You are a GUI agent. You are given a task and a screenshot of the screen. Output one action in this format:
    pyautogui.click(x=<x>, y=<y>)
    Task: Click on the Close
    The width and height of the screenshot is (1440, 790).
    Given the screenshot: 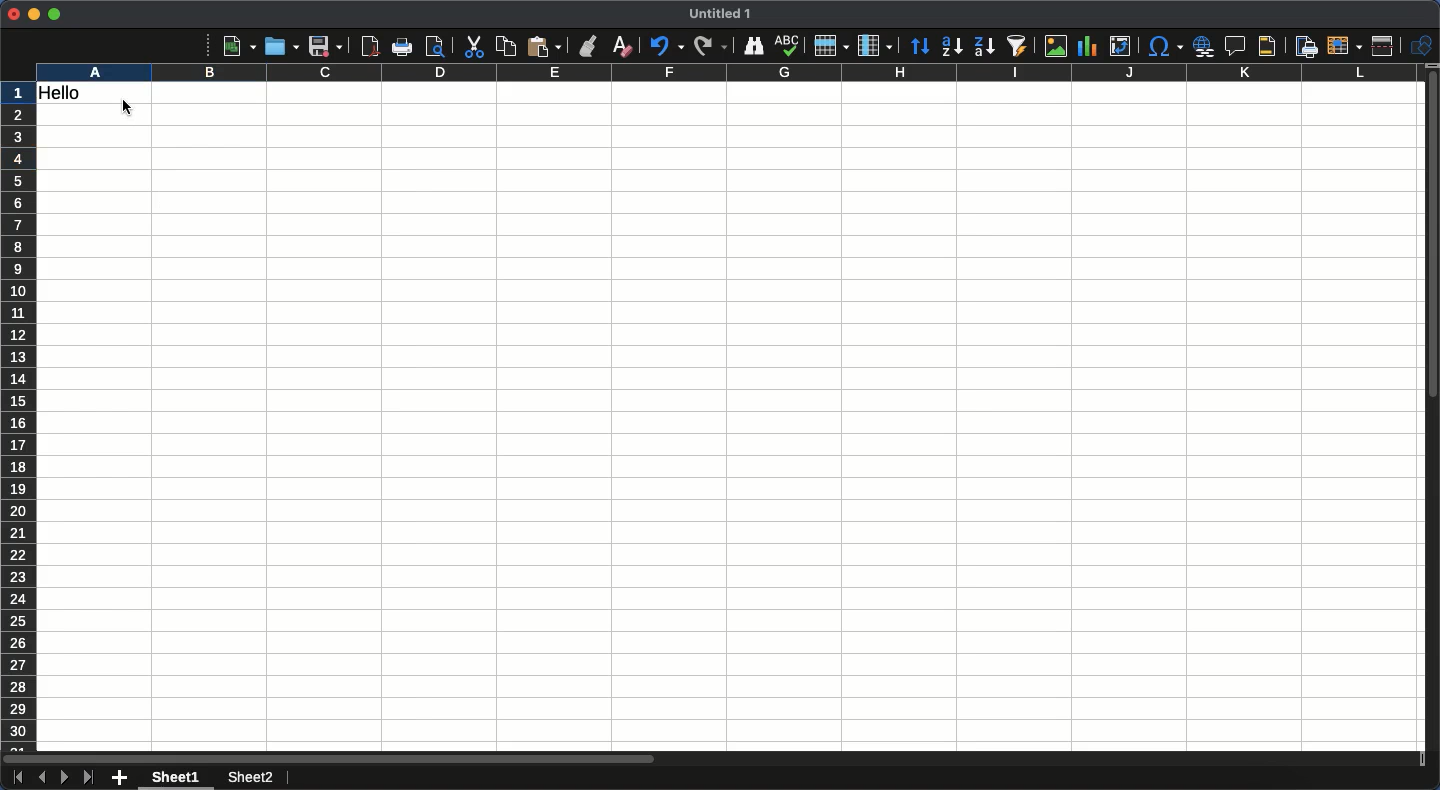 What is the action you would take?
    pyautogui.click(x=13, y=14)
    